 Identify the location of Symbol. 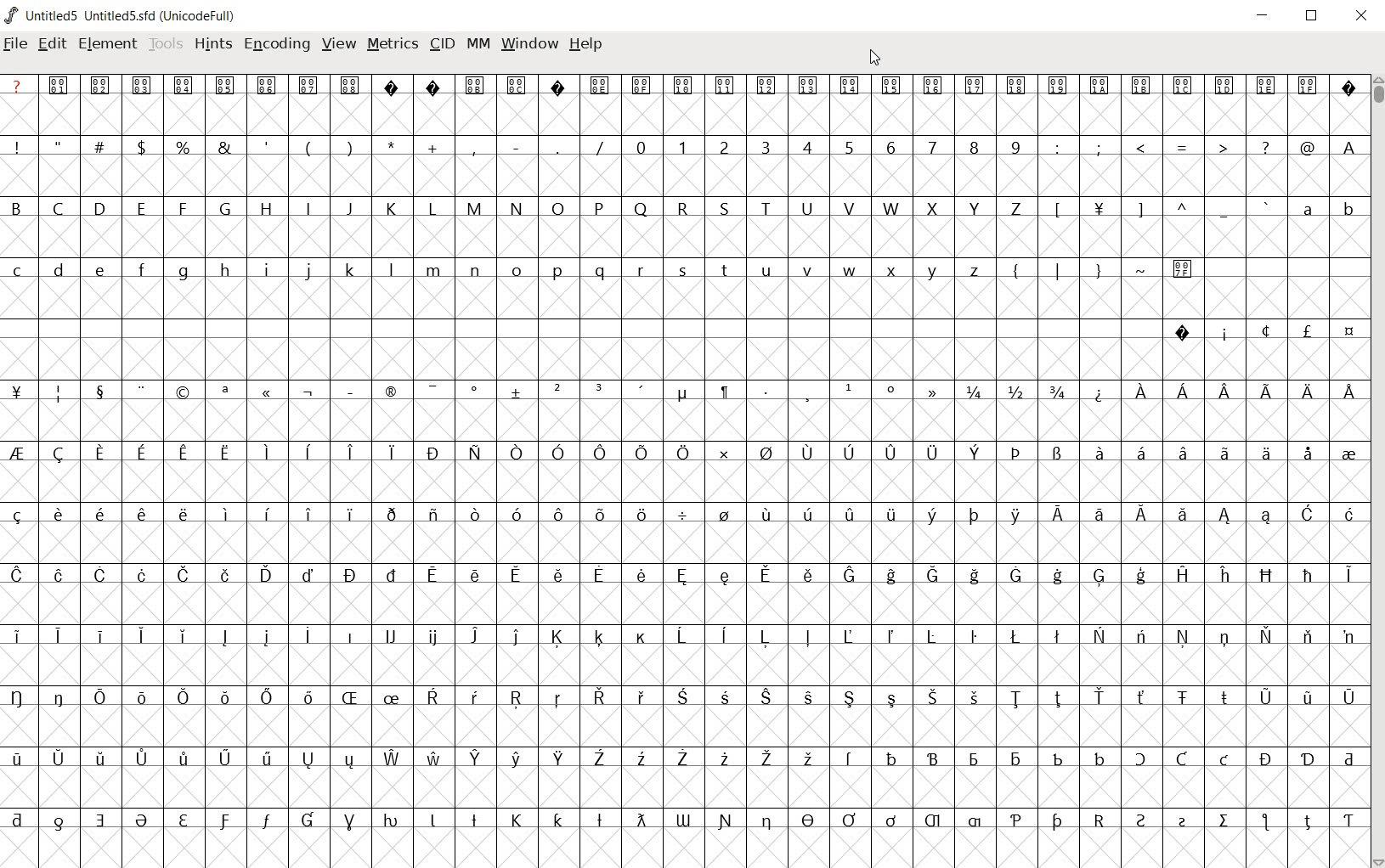
(224, 821).